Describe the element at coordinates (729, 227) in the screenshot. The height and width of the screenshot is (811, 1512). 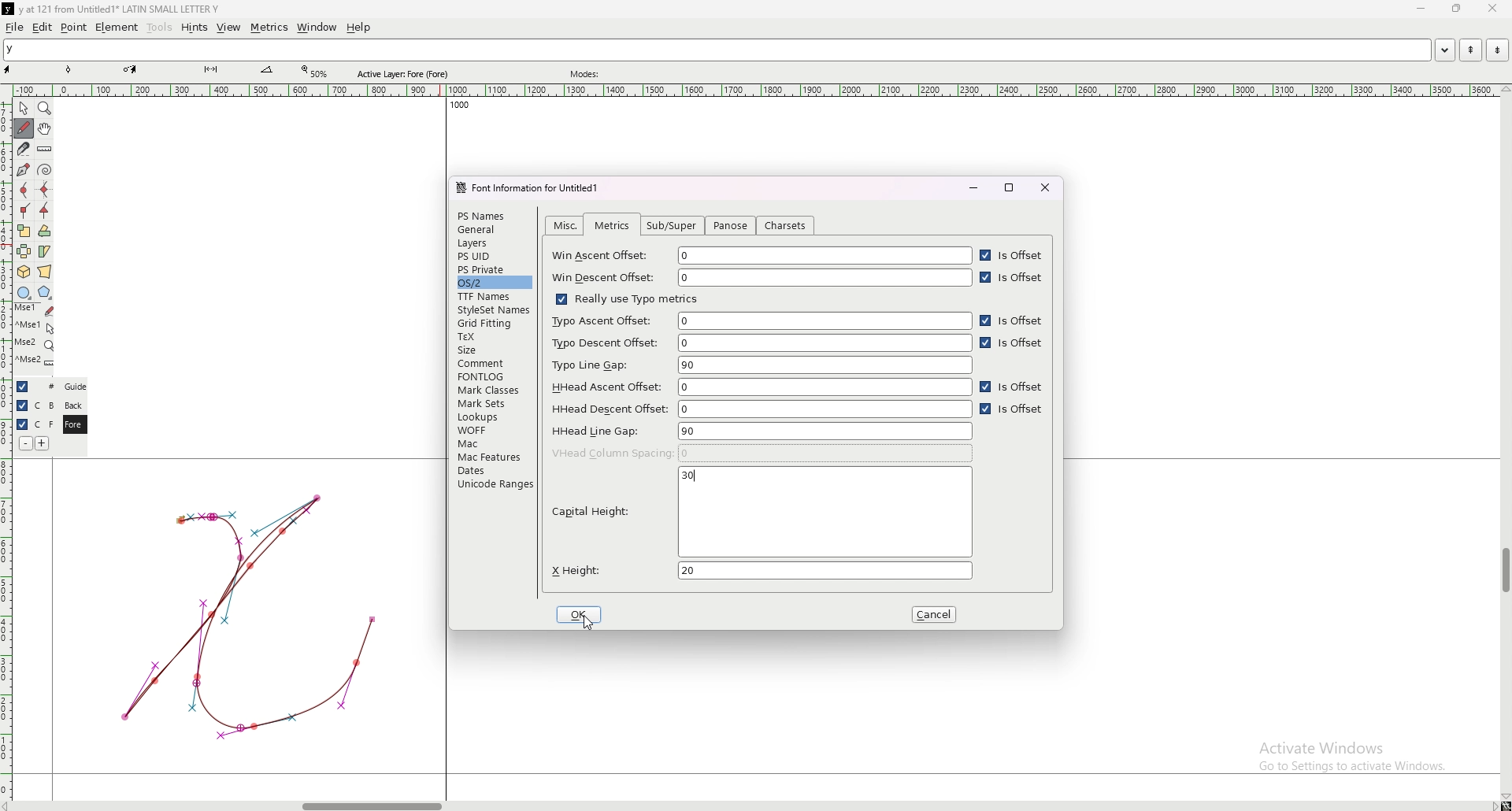
I see `panose` at that location.